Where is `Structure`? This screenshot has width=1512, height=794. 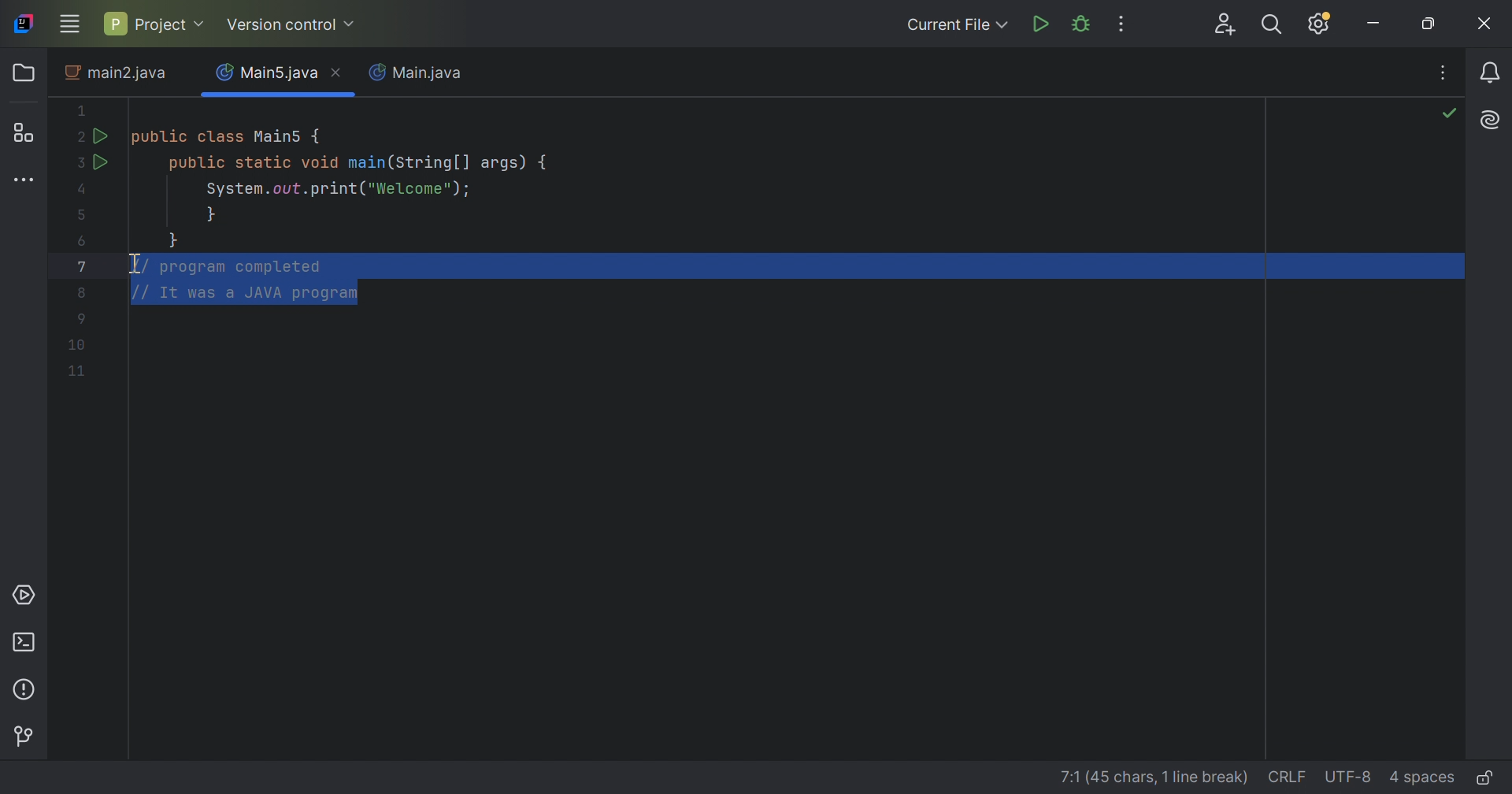
Structure is located at coordinates (28, 132).